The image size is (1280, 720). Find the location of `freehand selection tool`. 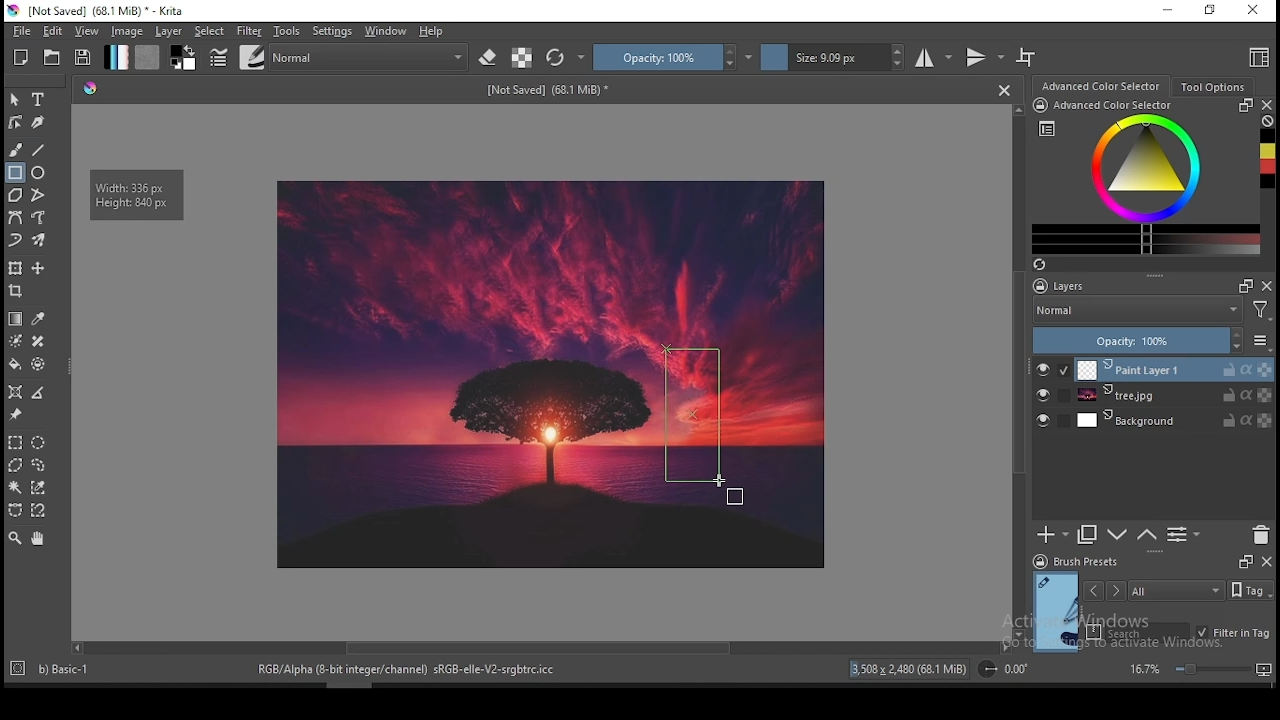

freehand selection tool is located at coordinates (40, 463).